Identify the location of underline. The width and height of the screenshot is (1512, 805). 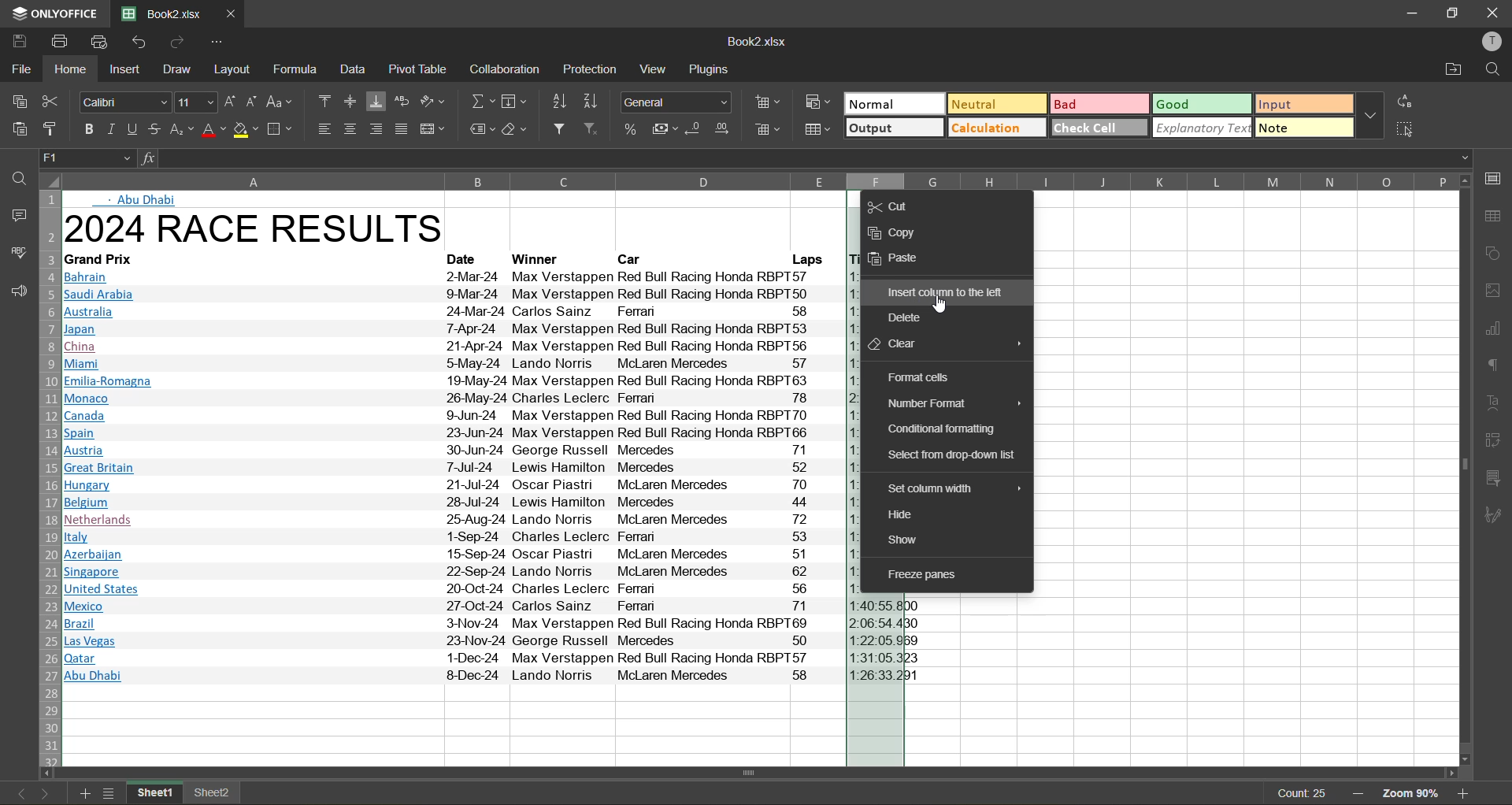
(135, 128).